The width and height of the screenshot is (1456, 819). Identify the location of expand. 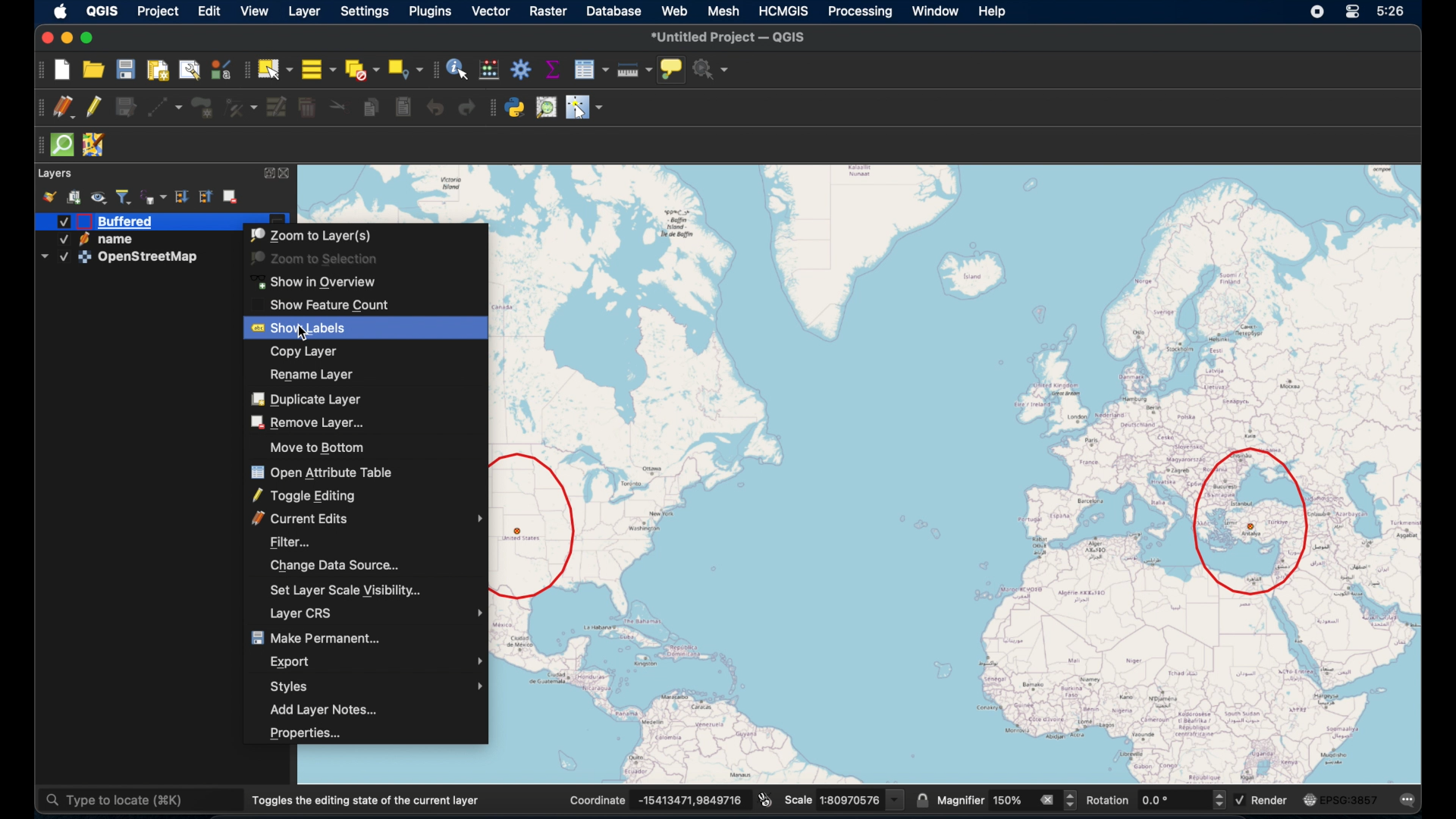
(269, 172).